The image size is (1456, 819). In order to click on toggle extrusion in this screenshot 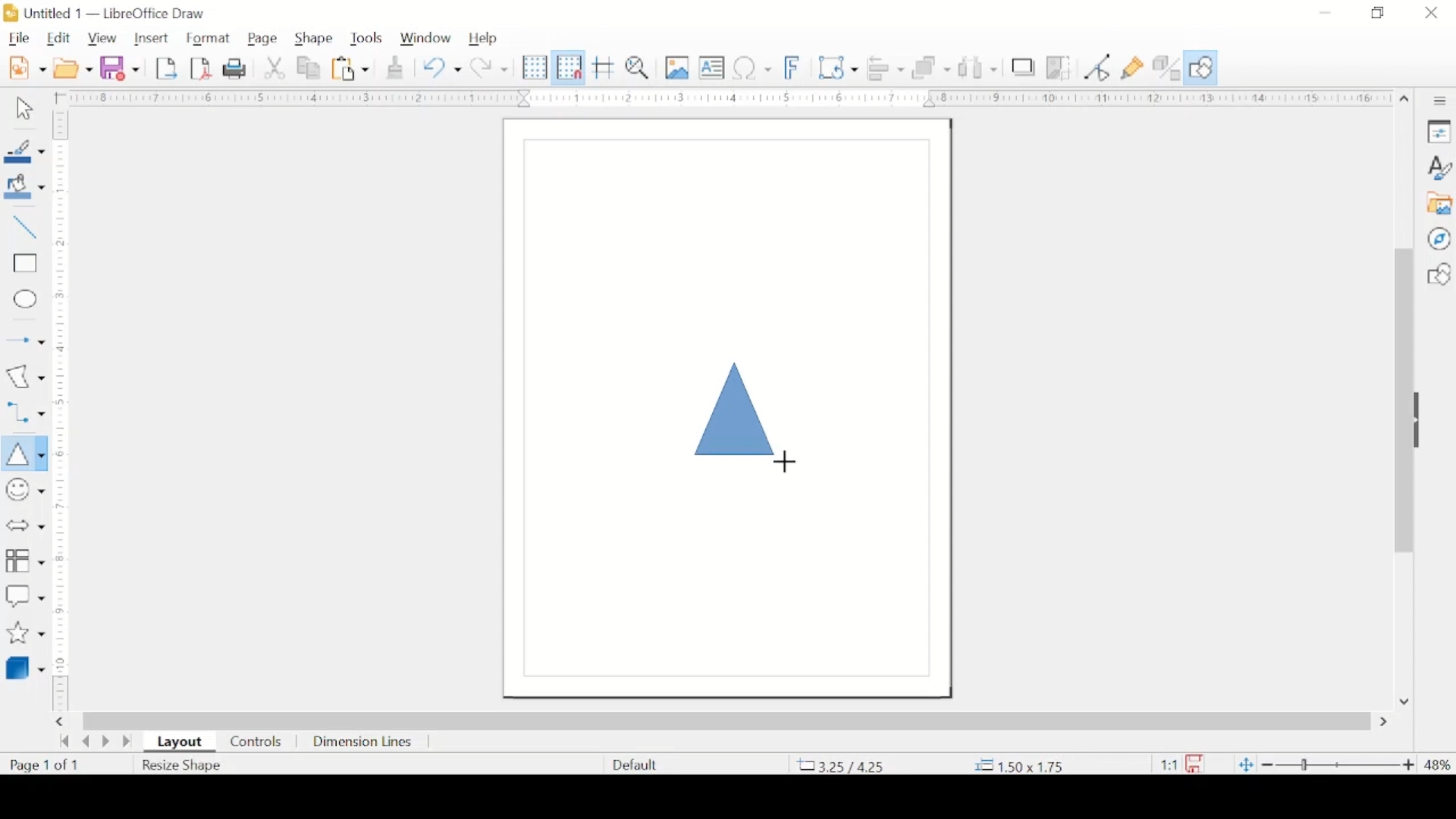, I will do `click(1167, 67)`.